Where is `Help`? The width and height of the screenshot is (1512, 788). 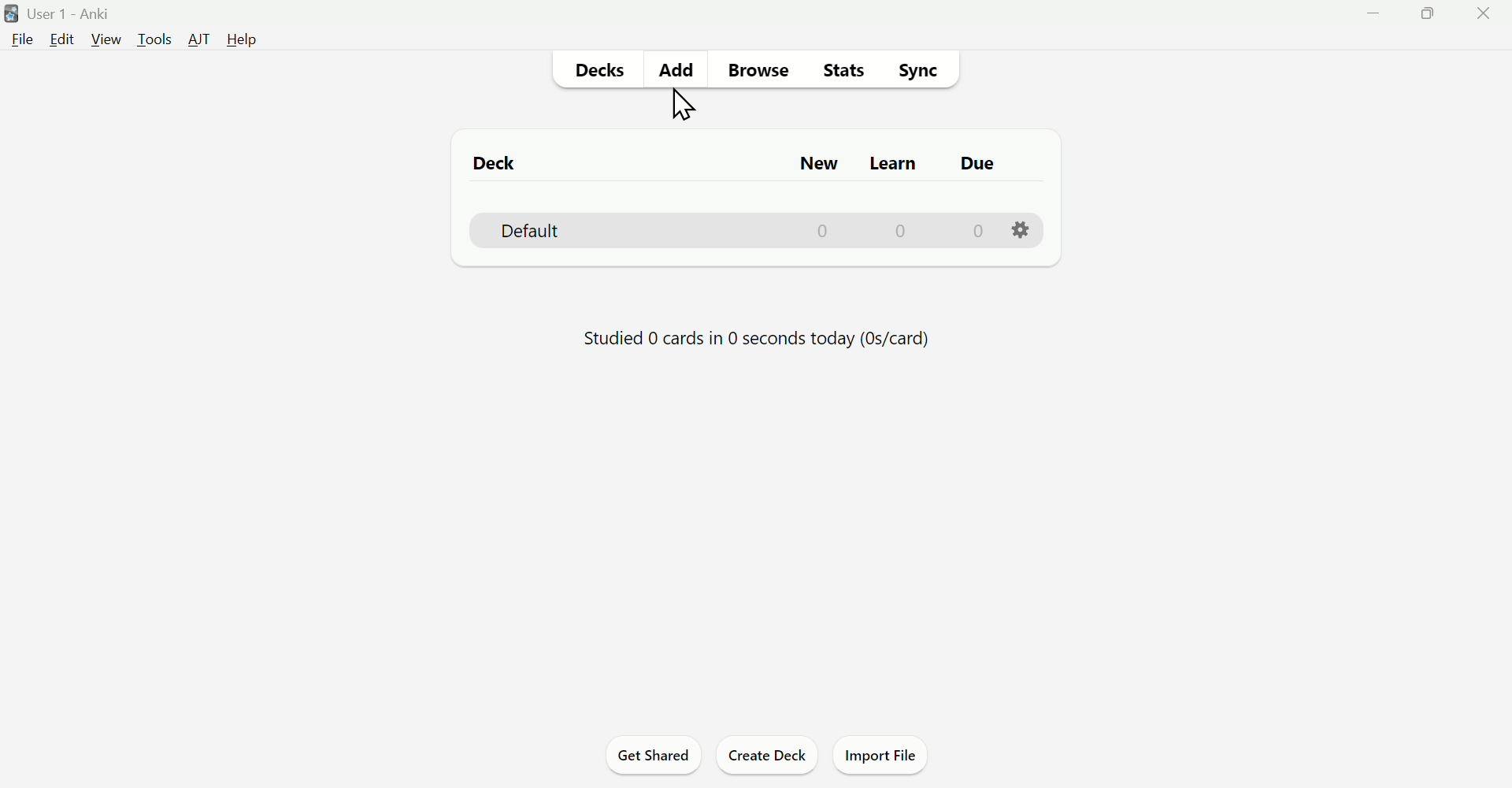 Help is located at coordinates (246, 43).